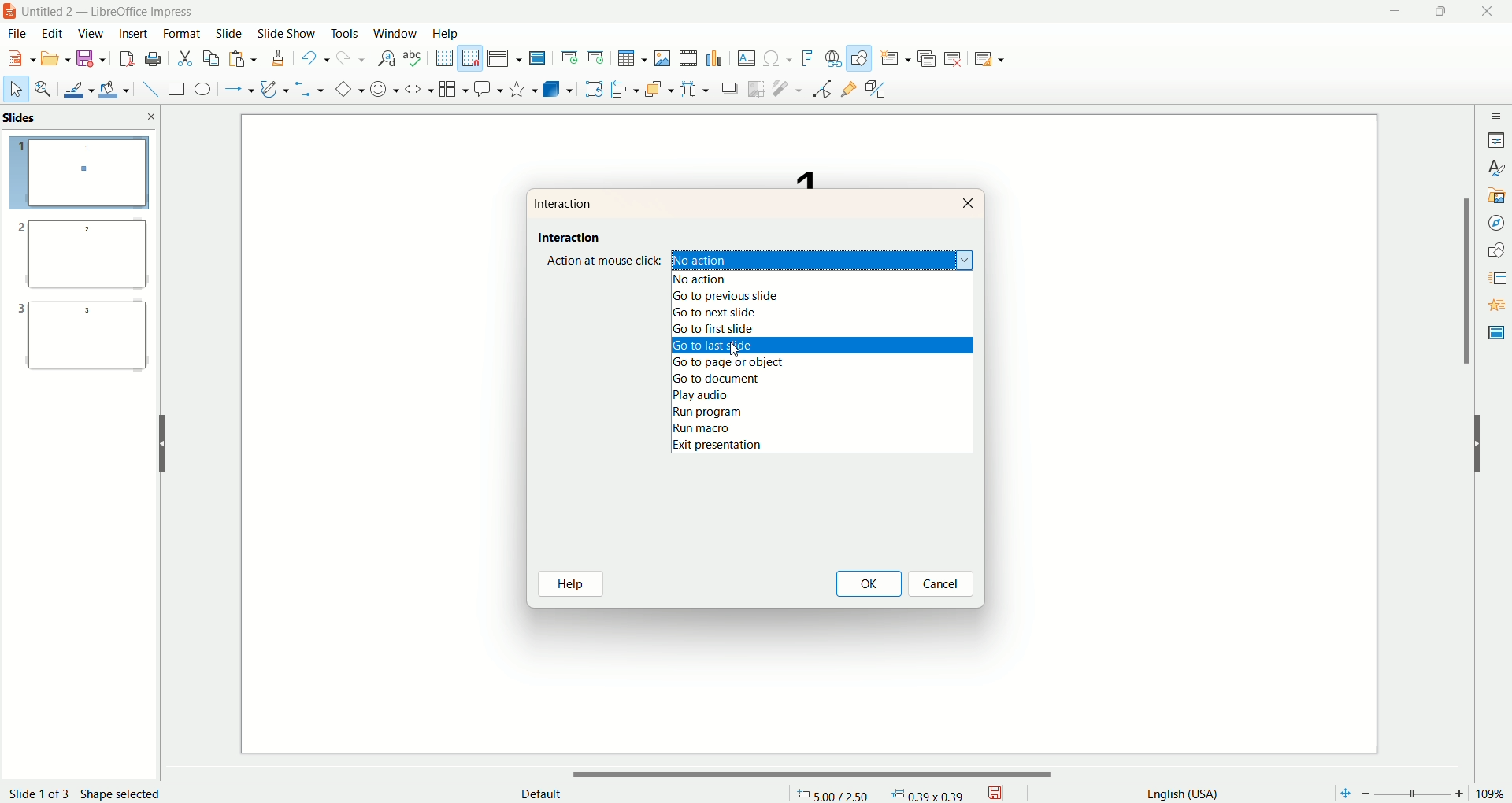 Image resolution: width=1512 pixels, height=803 pixels. Describe the element at coordinates (761, 381) in the screenshot. I see `go to document` at that location.